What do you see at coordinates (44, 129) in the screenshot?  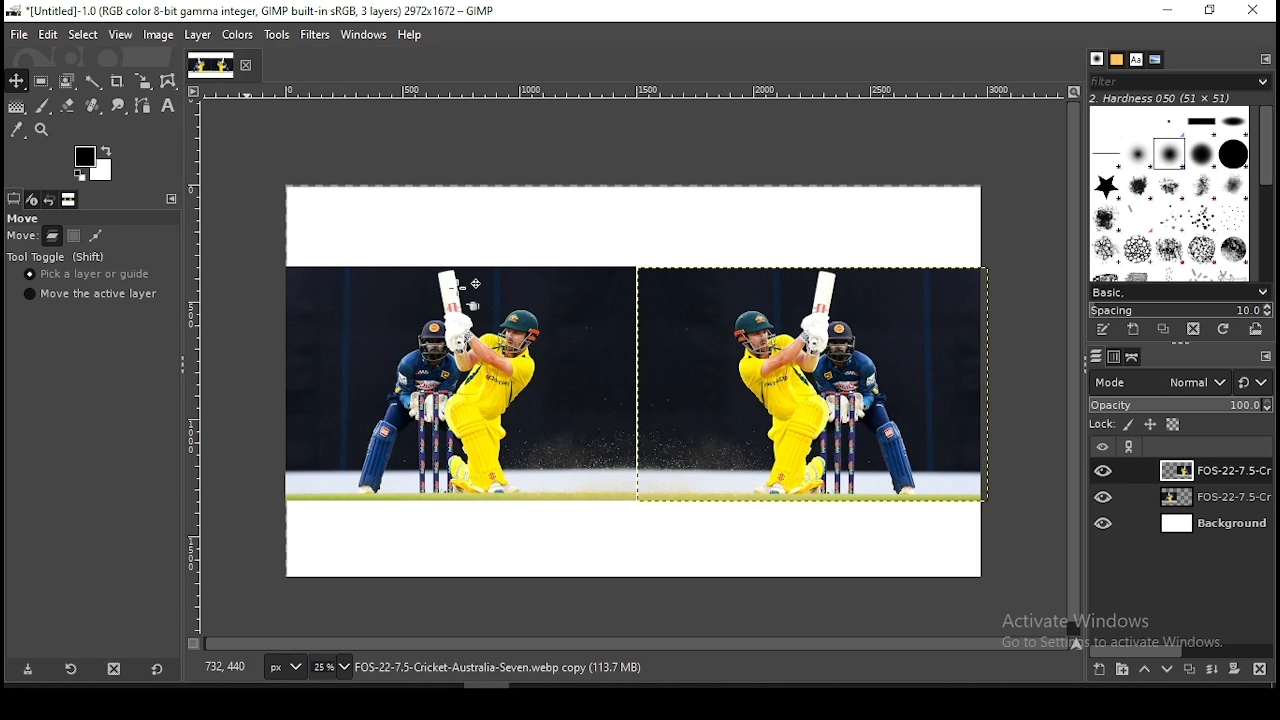 I see `zoom tool` at bounding box center [44, 129].